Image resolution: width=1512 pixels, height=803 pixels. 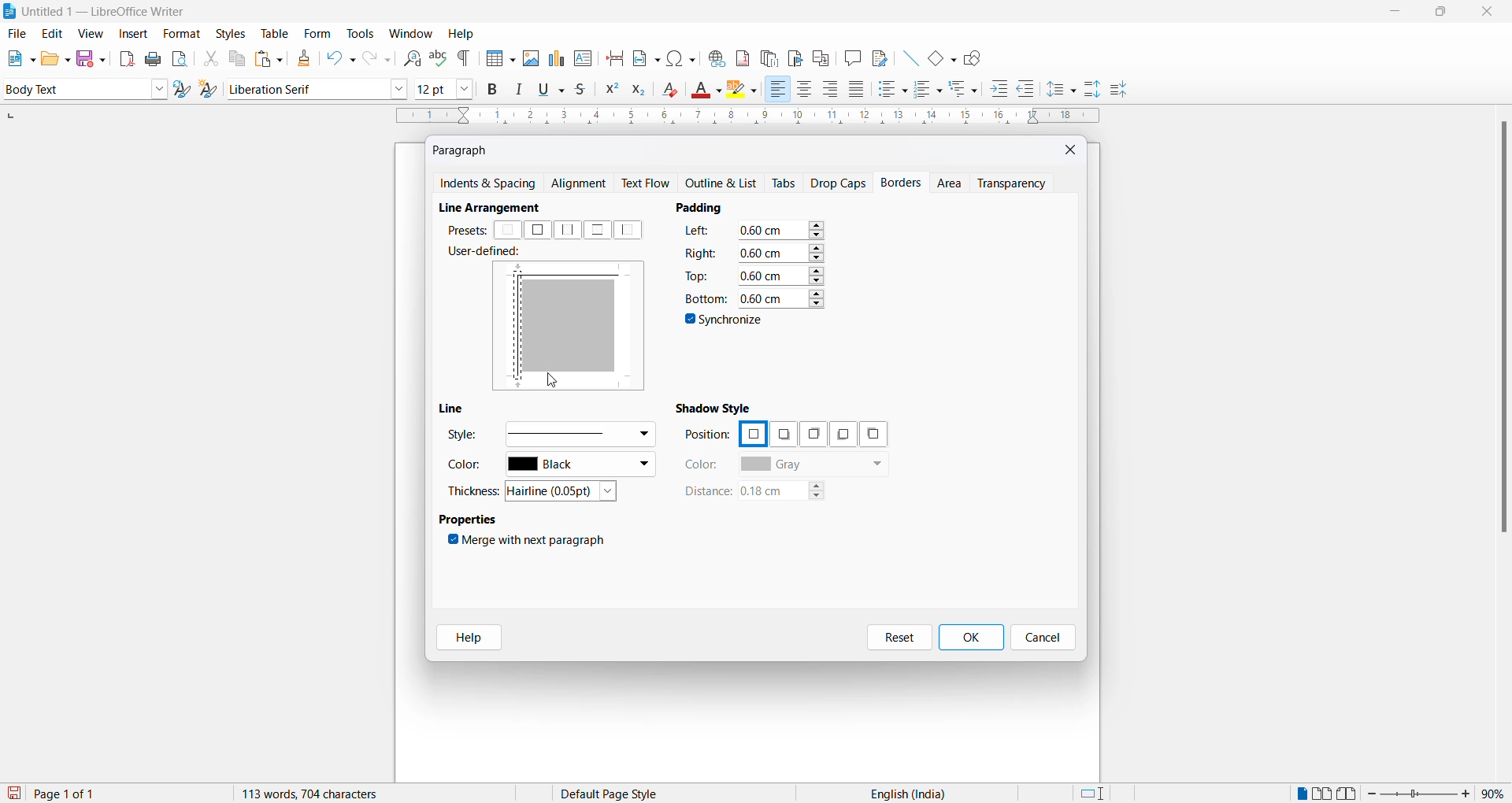 I want to click on shadow style, so click(x=717, y=407).